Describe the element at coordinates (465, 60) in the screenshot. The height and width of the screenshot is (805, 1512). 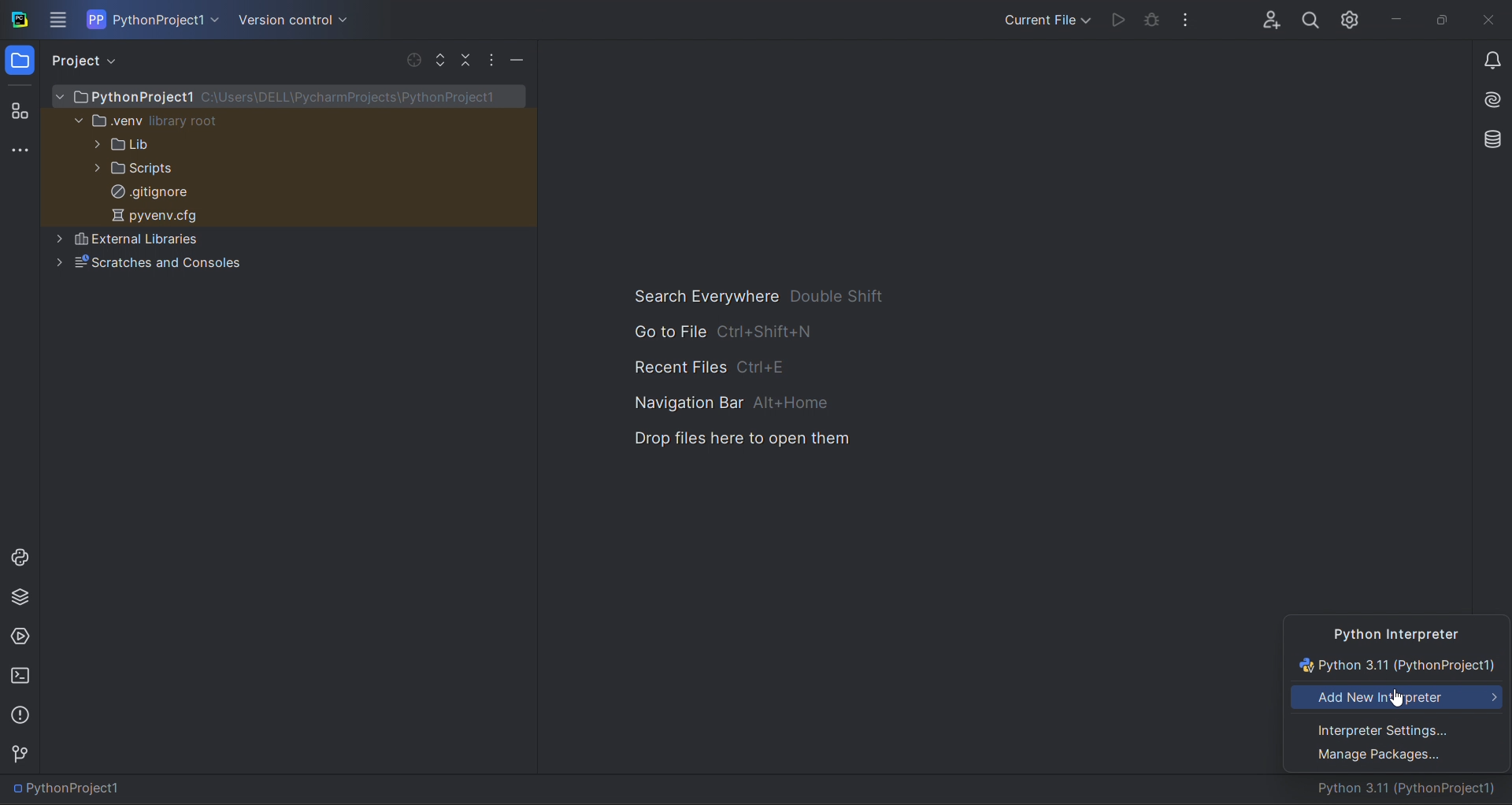
I see `collapse file` at that location.